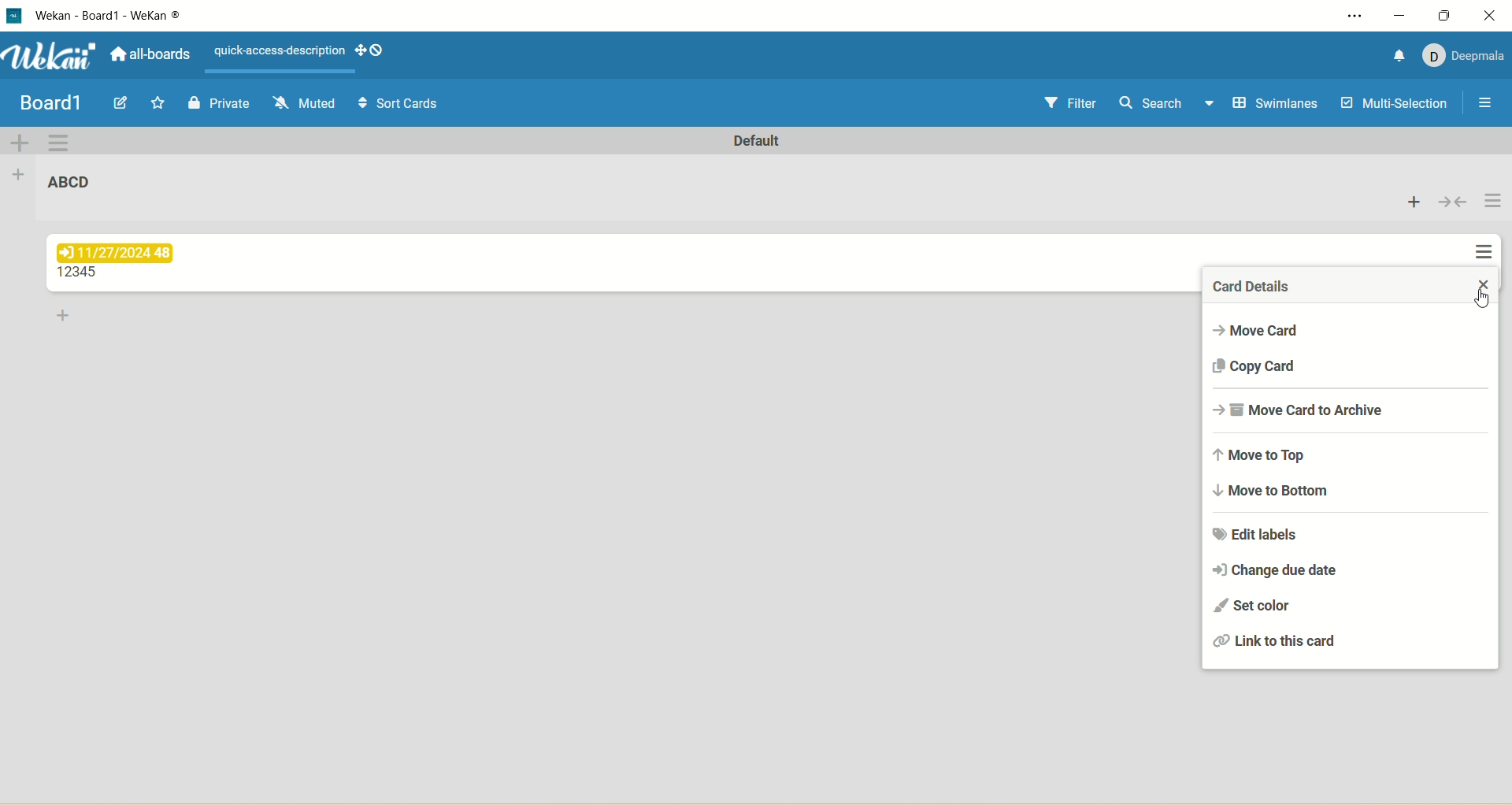 This screenshot has width=1512, height=805. What do you see at coordinates (21, 142) in the screenshot?
I see `add swimlane` at bounding box center [21, 142].